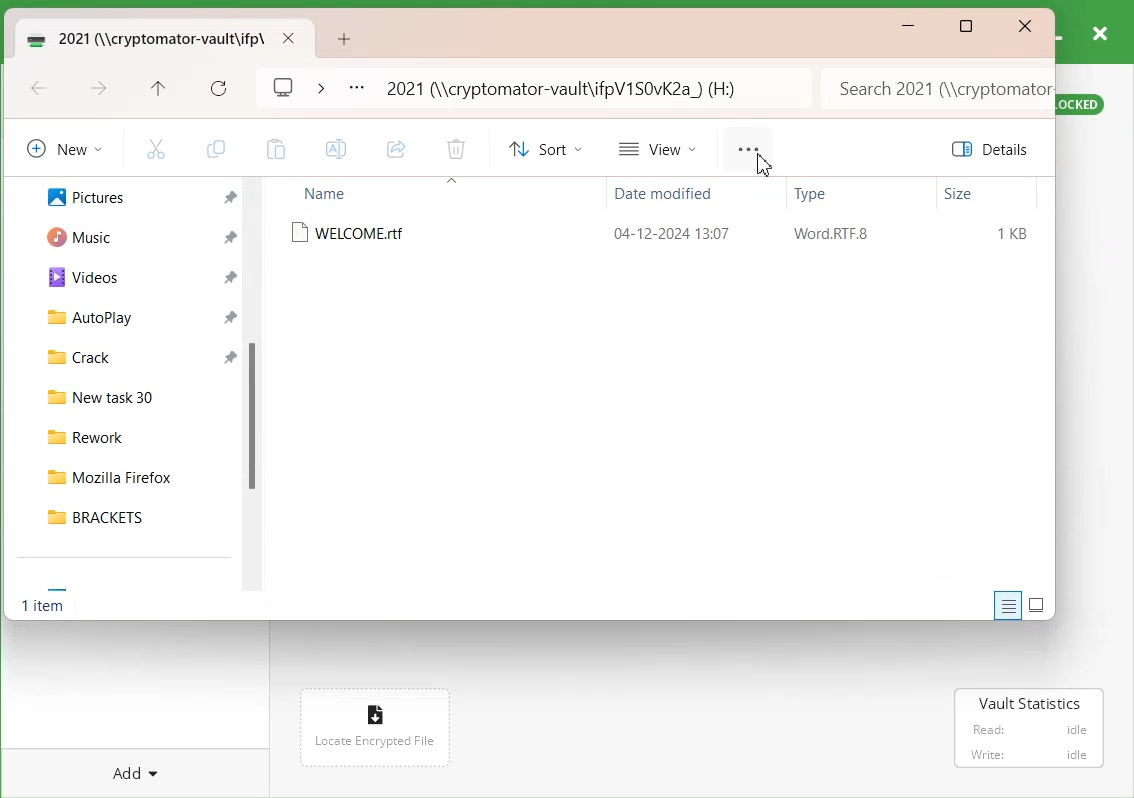 Image resolution: width=1134 pixels, height=798 pixels. Describe the element at coordinates (131, 394) in the screenshot. I see `New task 30` at that location.